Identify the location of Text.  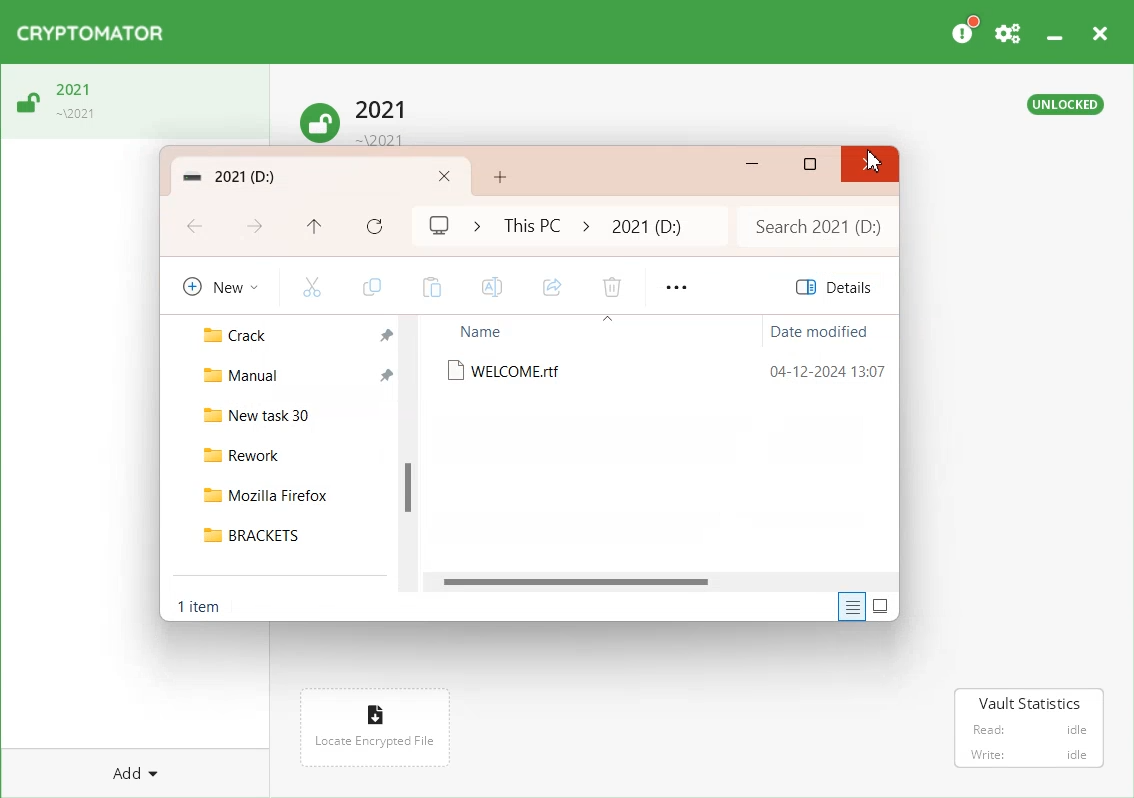
(1065, 104).